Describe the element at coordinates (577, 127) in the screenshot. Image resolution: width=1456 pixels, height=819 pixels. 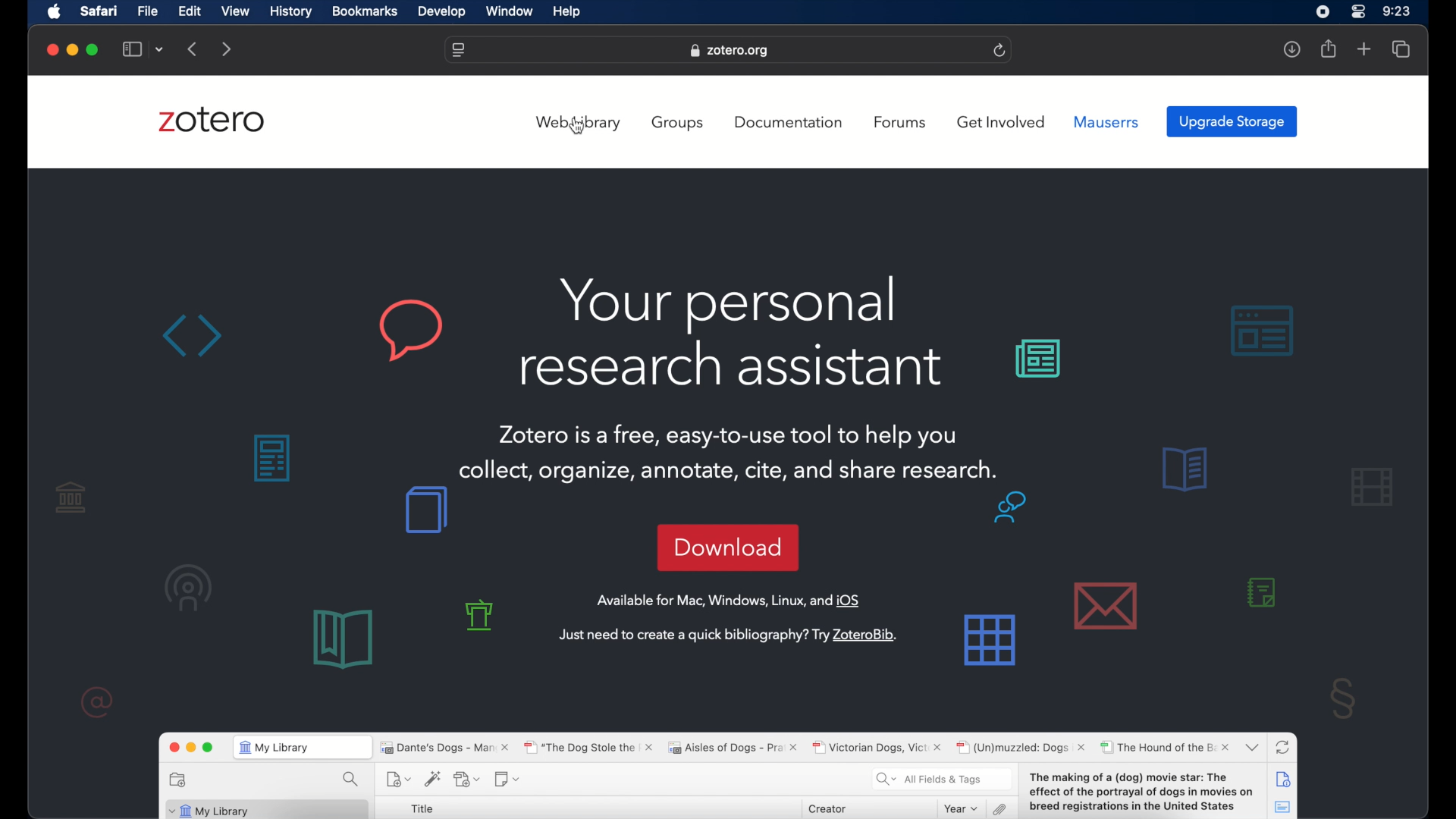
I see `cursor` at that location.